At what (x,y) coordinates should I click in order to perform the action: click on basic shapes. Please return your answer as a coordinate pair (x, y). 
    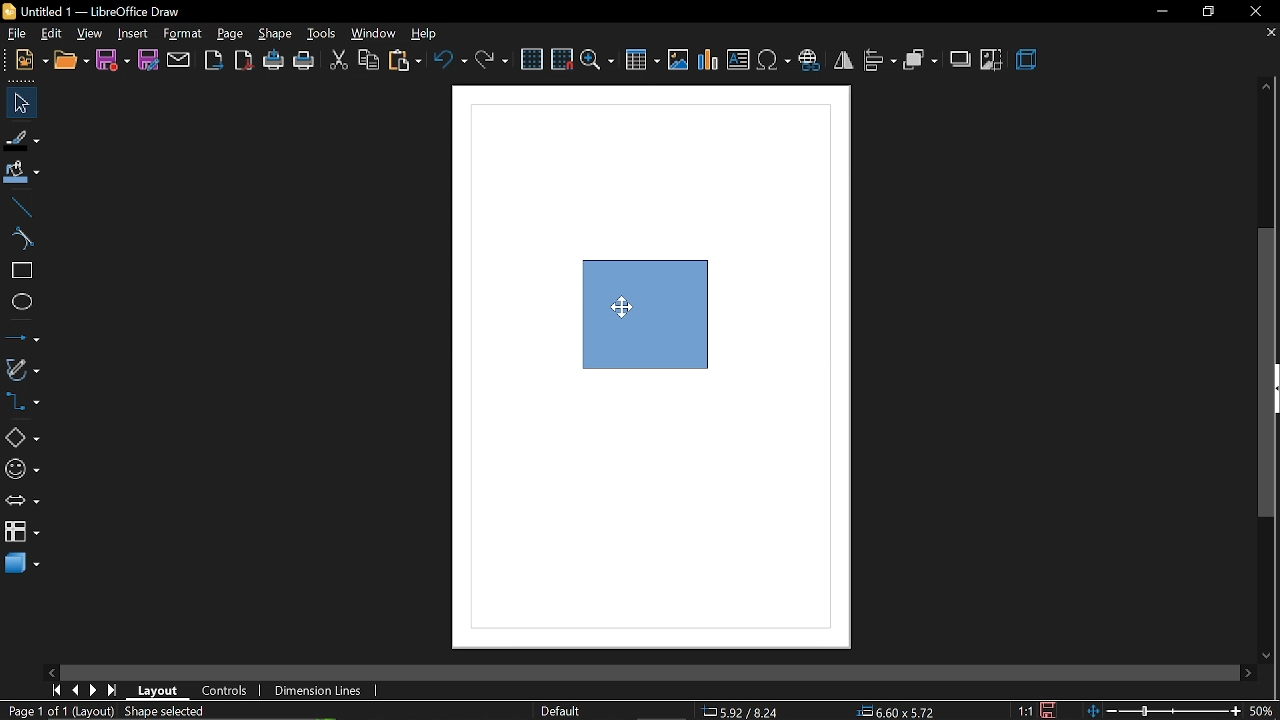
    Looking at the image, I should click on (22, 438).